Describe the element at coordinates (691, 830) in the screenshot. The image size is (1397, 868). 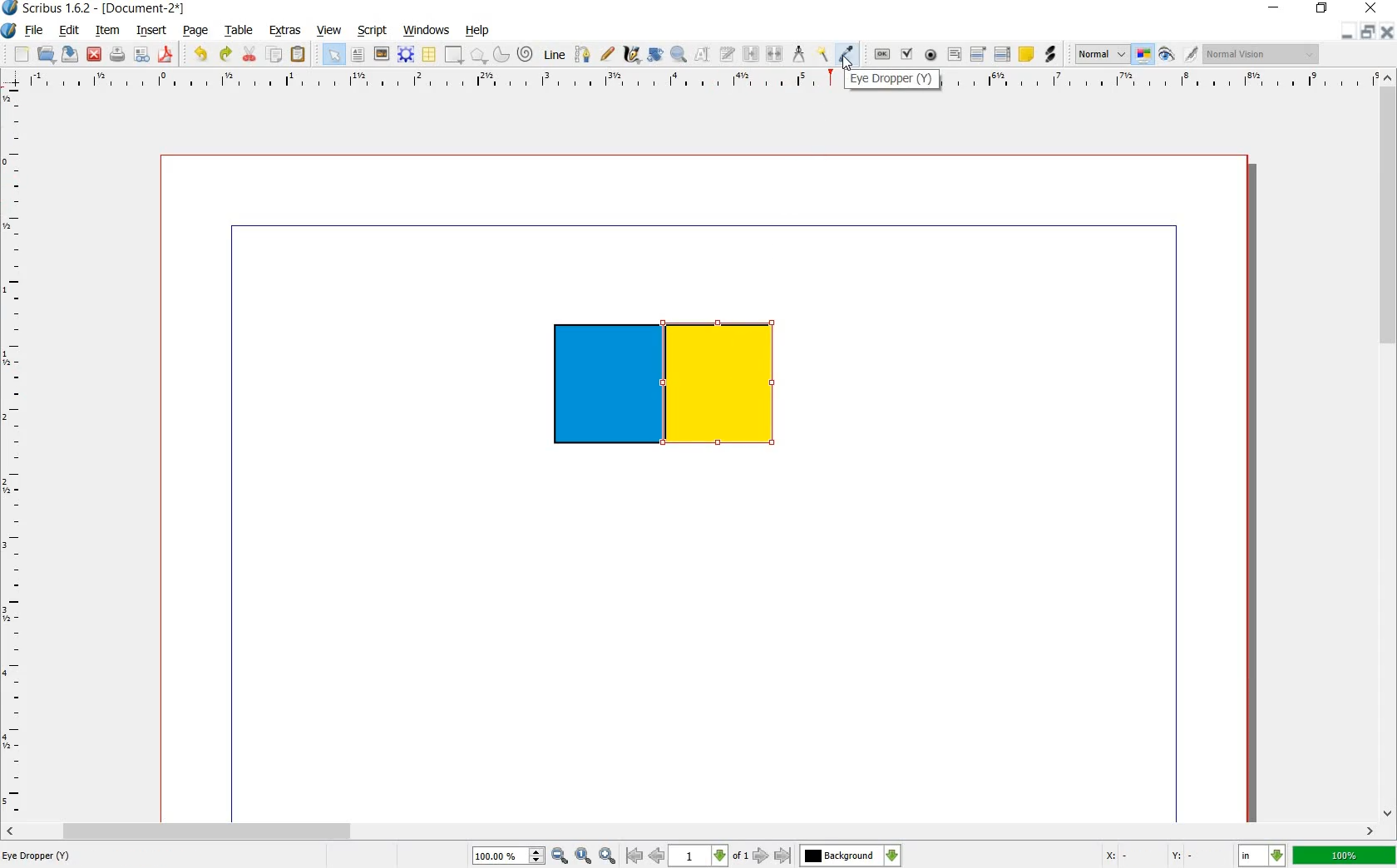
I see `scrollbar` at that location.